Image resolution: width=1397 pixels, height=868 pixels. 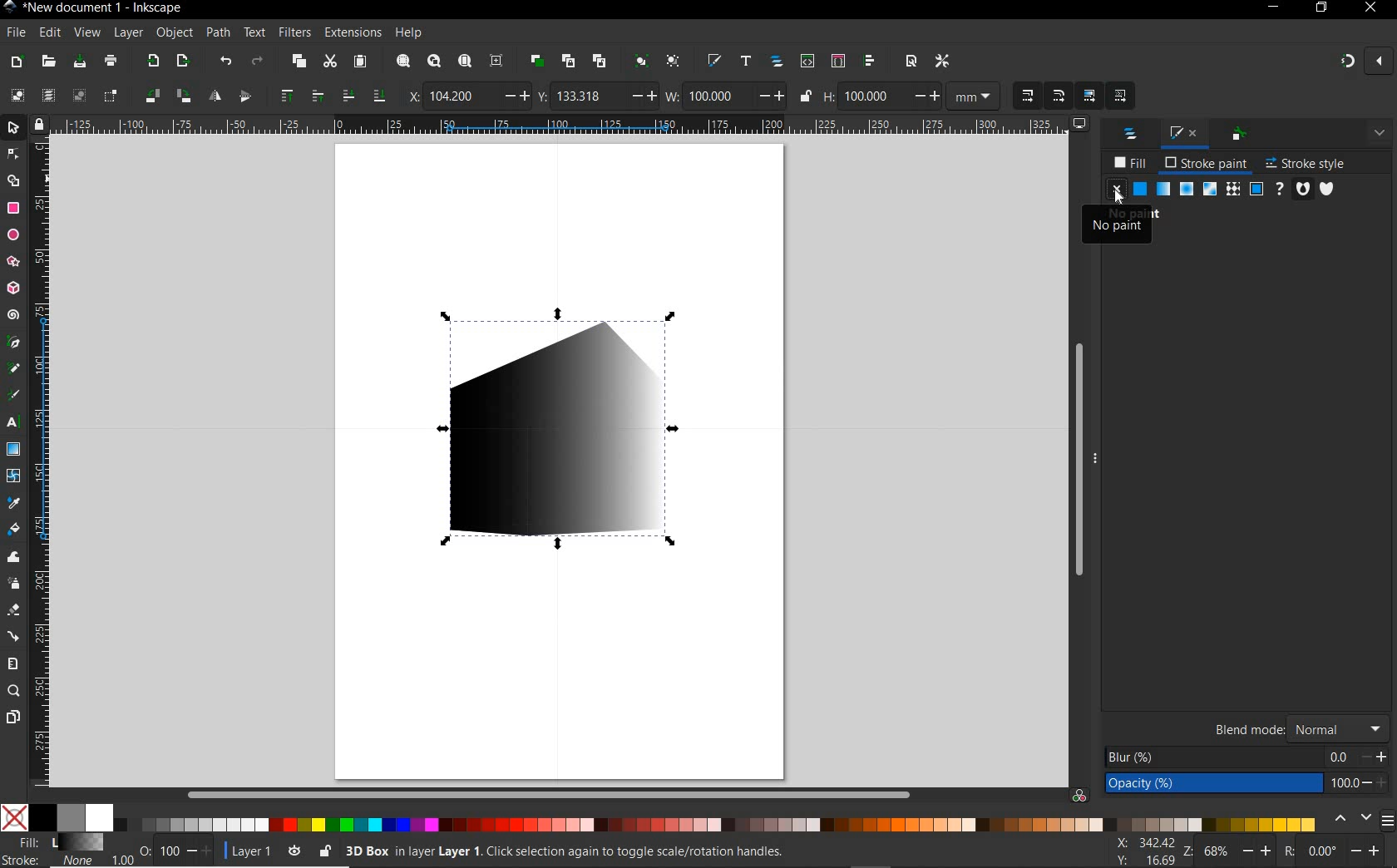 I want to click on FILL, so click(x=1131, y=162).